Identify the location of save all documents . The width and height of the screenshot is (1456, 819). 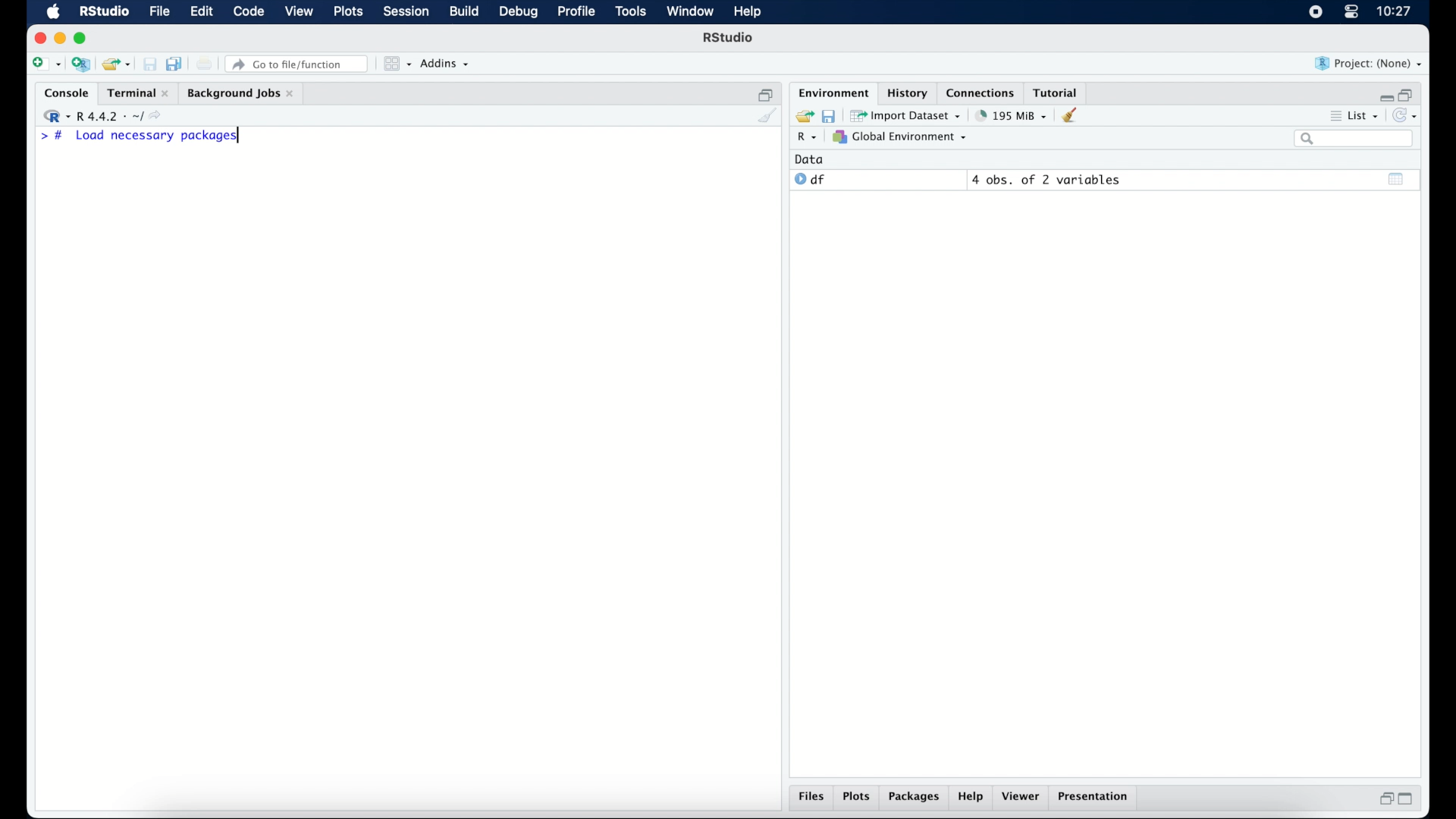
(176, 63).